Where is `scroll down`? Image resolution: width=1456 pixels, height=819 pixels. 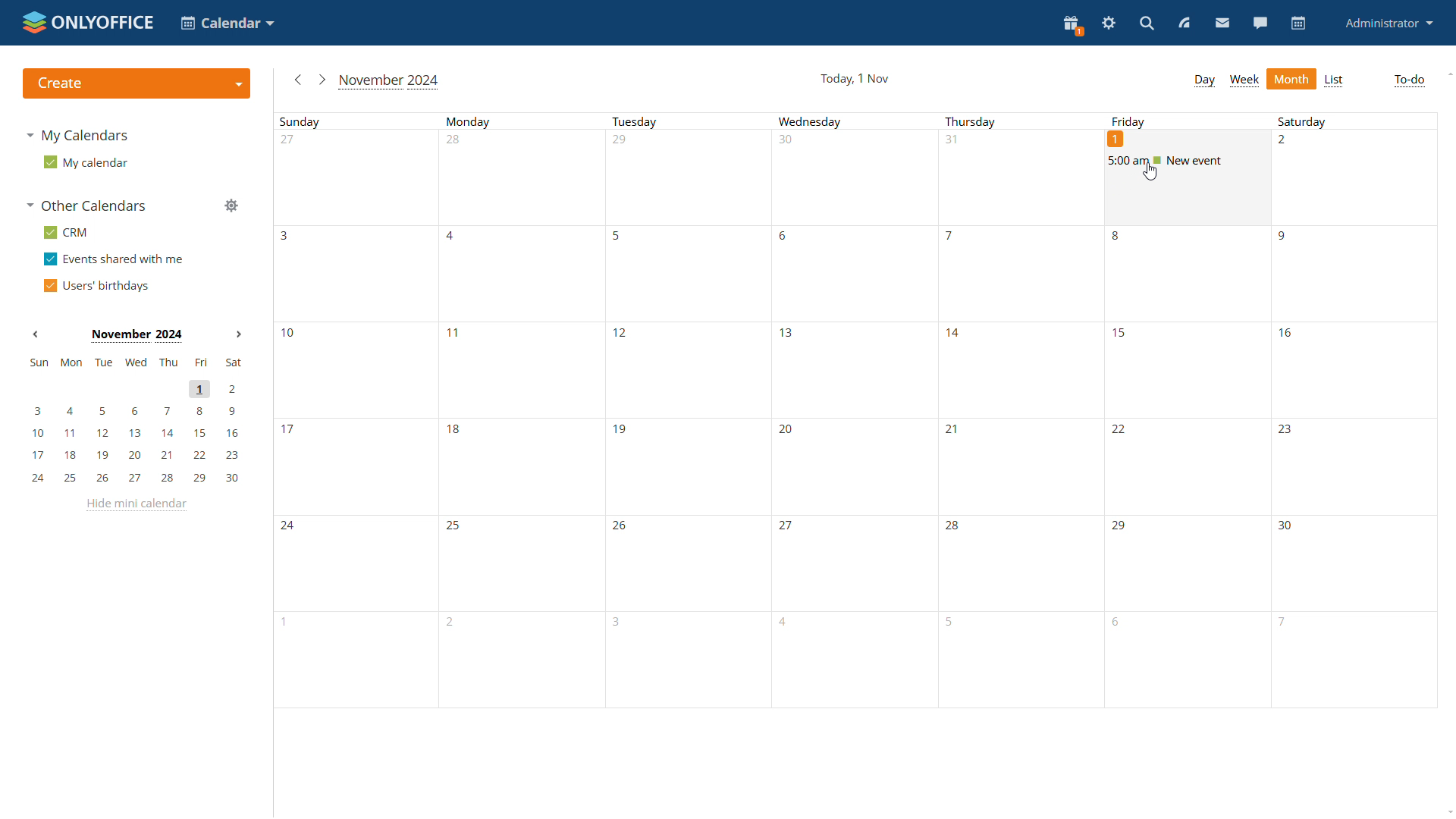 scroll down is located at coordinates (1449, 811).